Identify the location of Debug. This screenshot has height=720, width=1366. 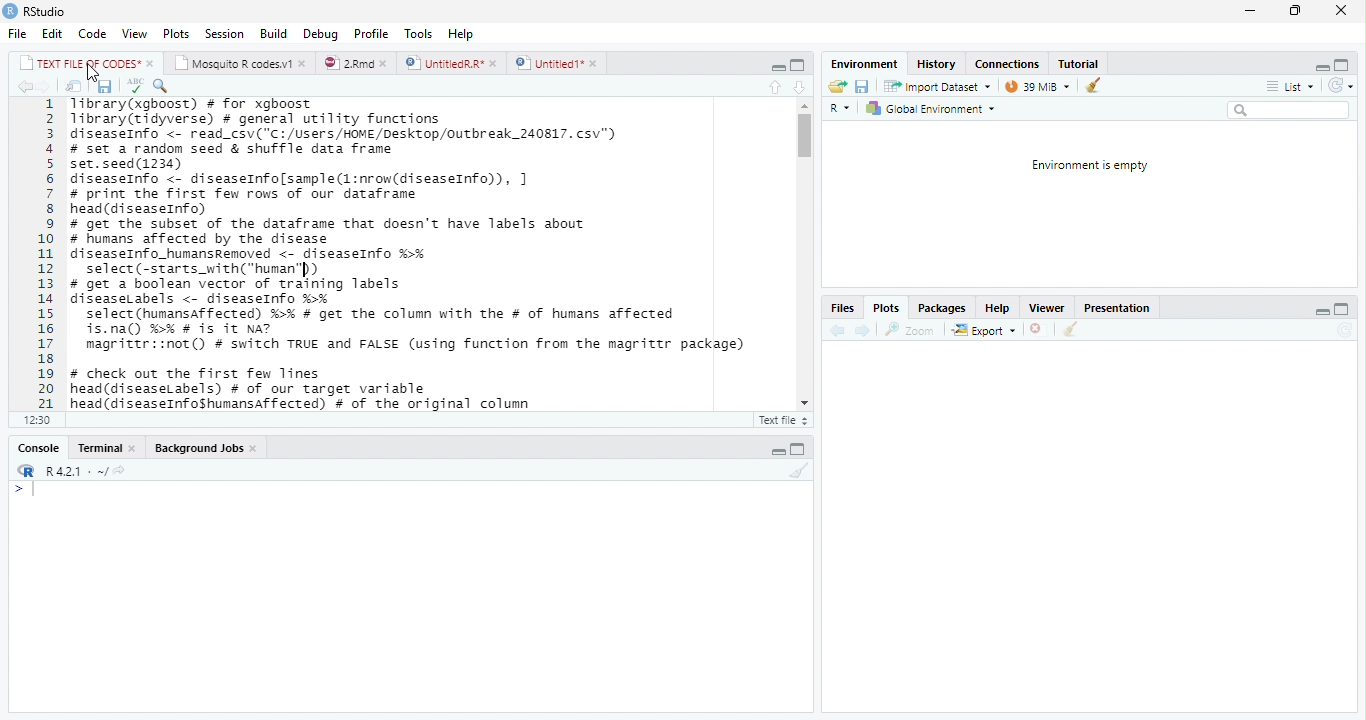
(319, 35).